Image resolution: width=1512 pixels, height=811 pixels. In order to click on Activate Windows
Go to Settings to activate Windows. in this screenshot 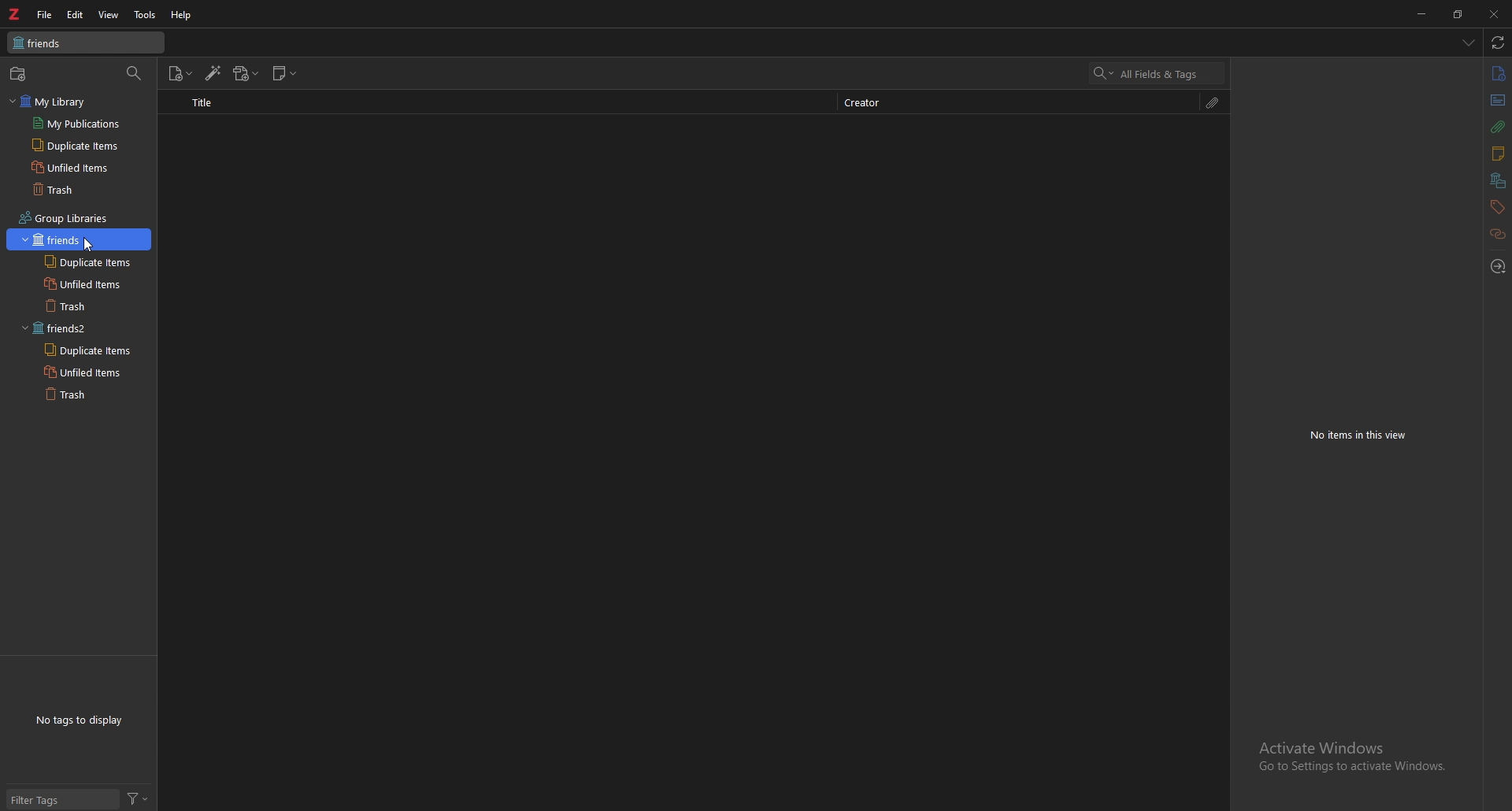, I will do `click(1352, 760)`.